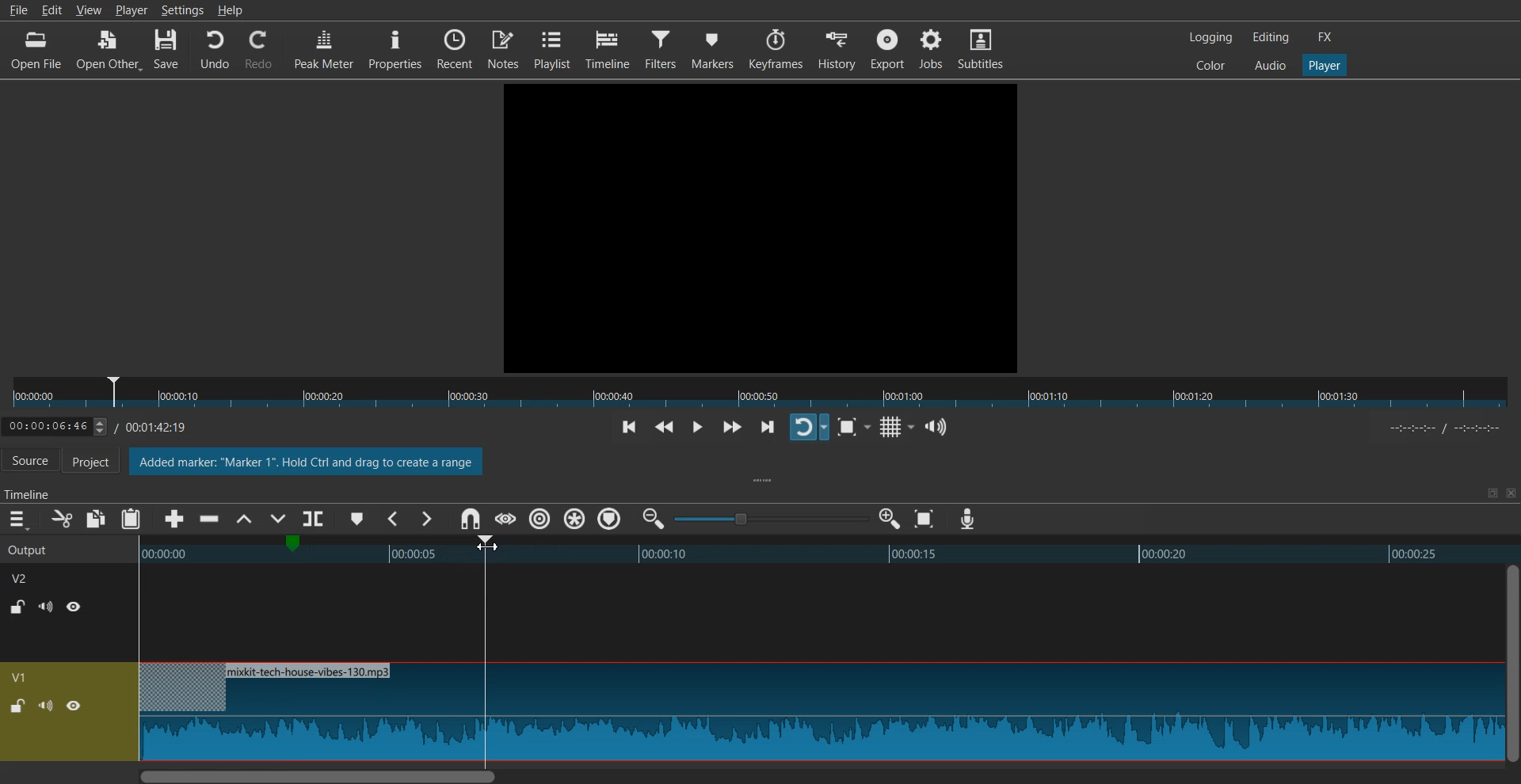 This screenshot has width=1521, height=784. I want to click on Lock / UnLock, so click(17, 706).